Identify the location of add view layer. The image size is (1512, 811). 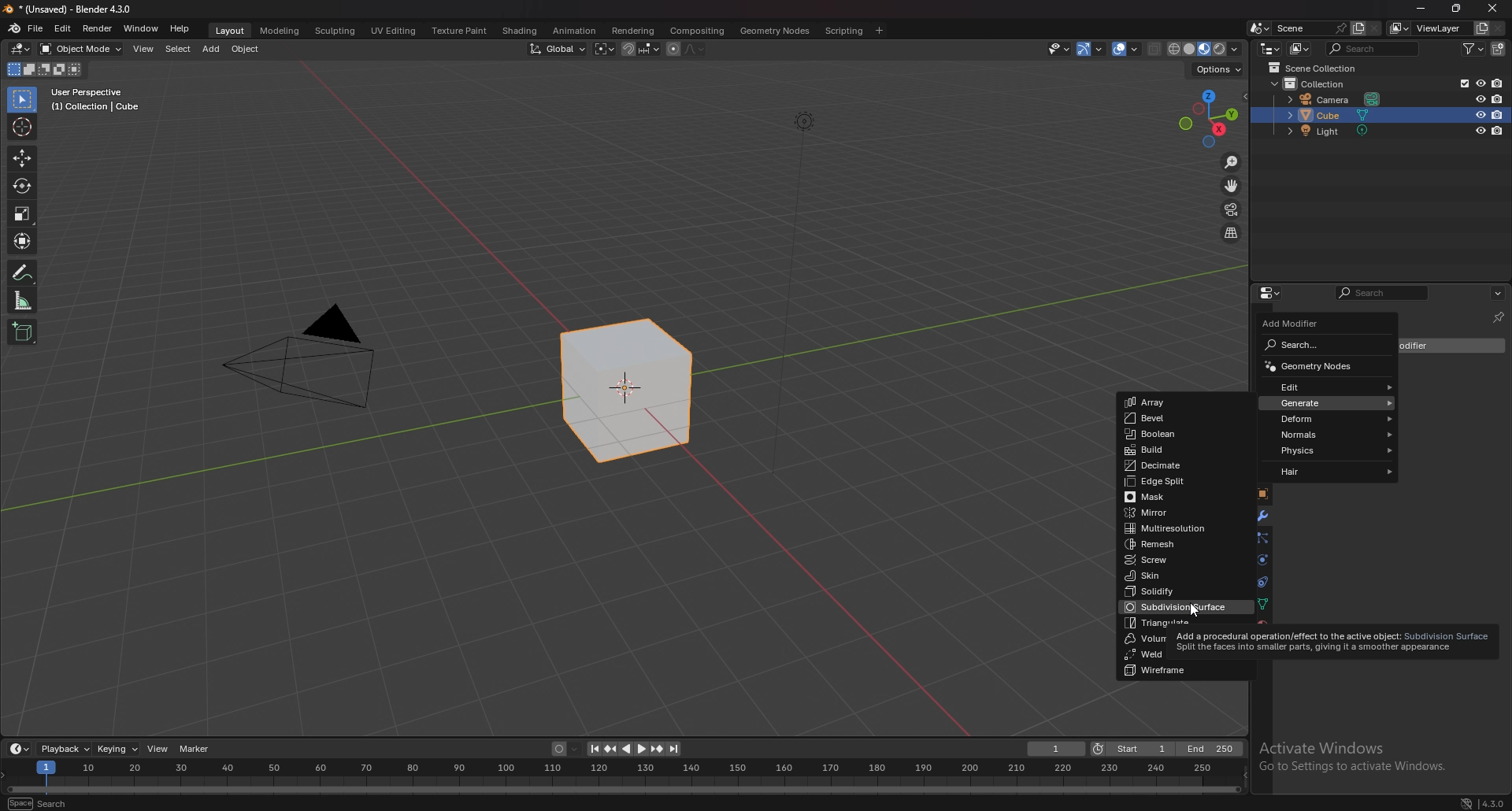
(1480, 28).